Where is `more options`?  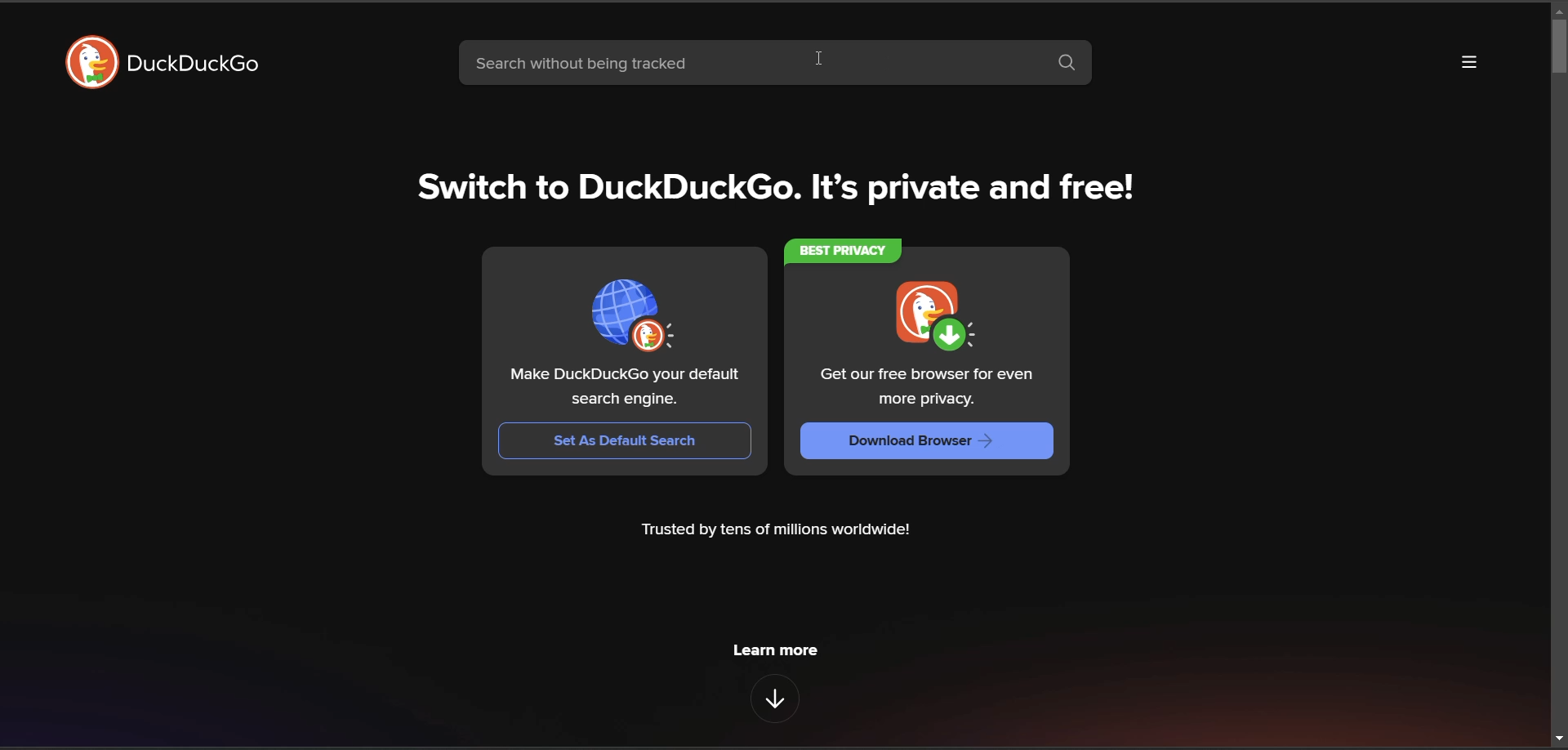
more options is located at coordinates (1466, 65).